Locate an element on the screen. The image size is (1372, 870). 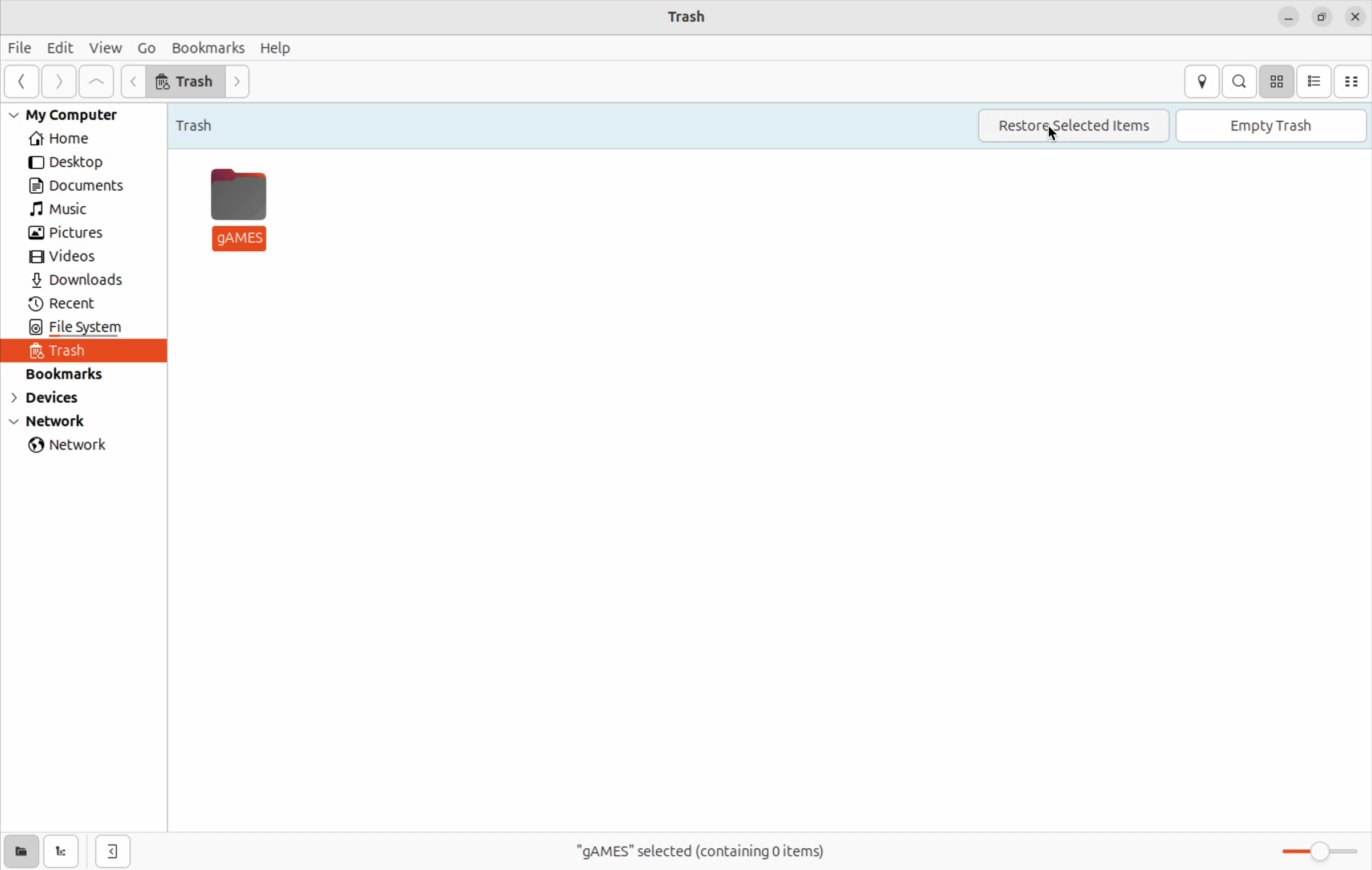
bookmarks is located at coordinates (74, 374).